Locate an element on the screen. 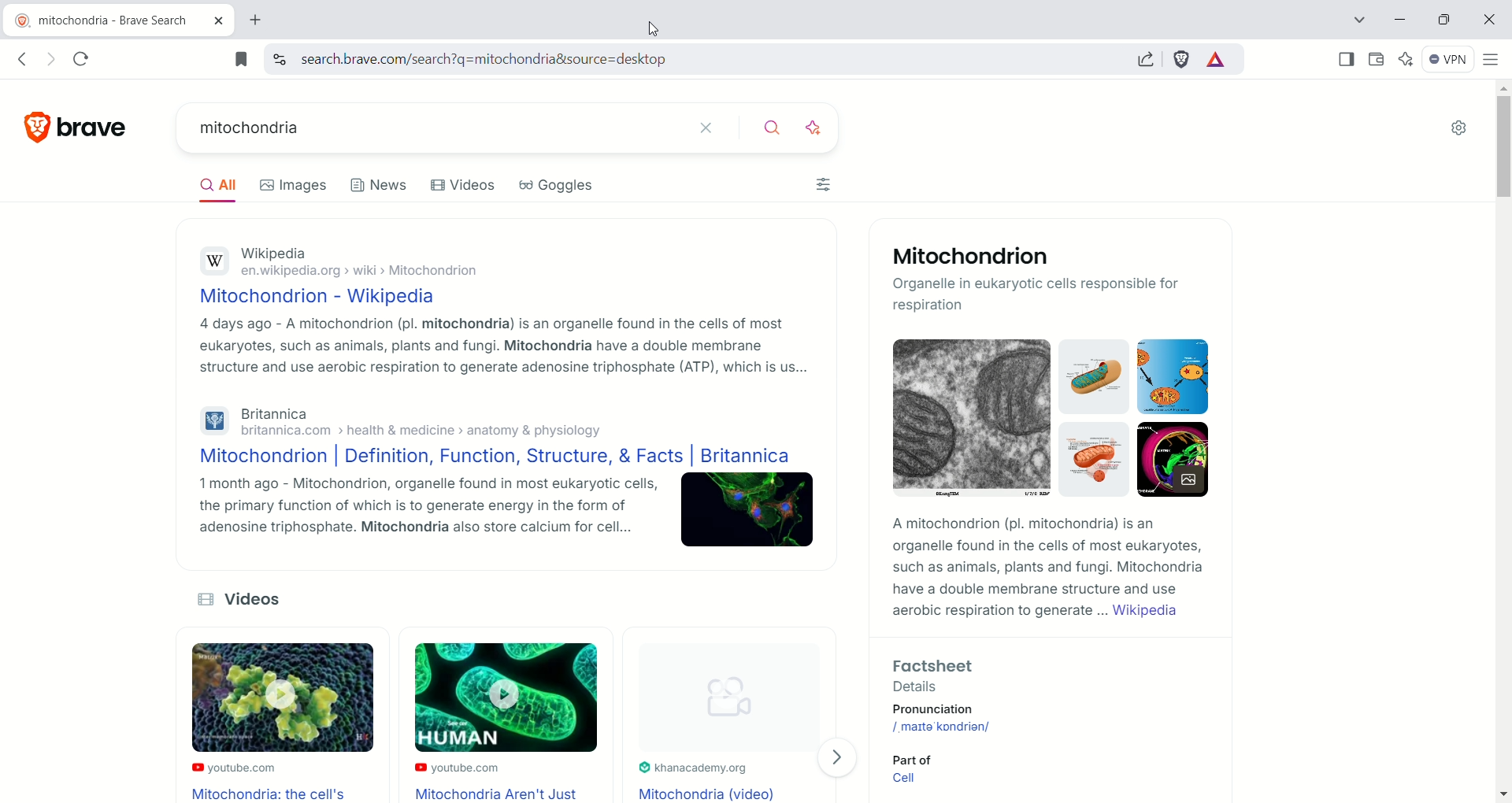  VPN is located at coordinates (1451, 60).